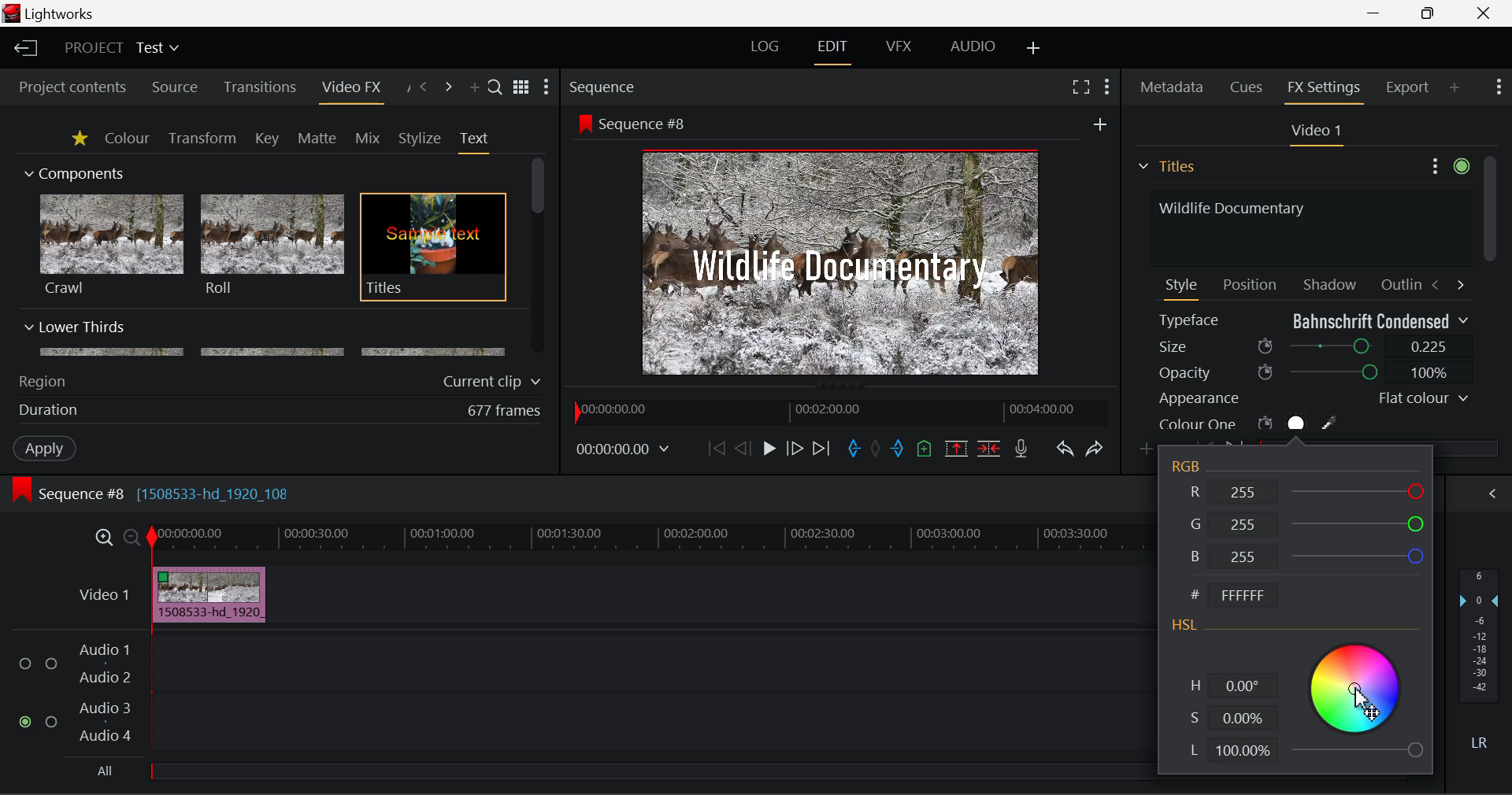 The height and width of the screenshot is (795, 1512). Describe the element at coordinates (106, 594) in the screenshot. I see `Video 1` at that location.